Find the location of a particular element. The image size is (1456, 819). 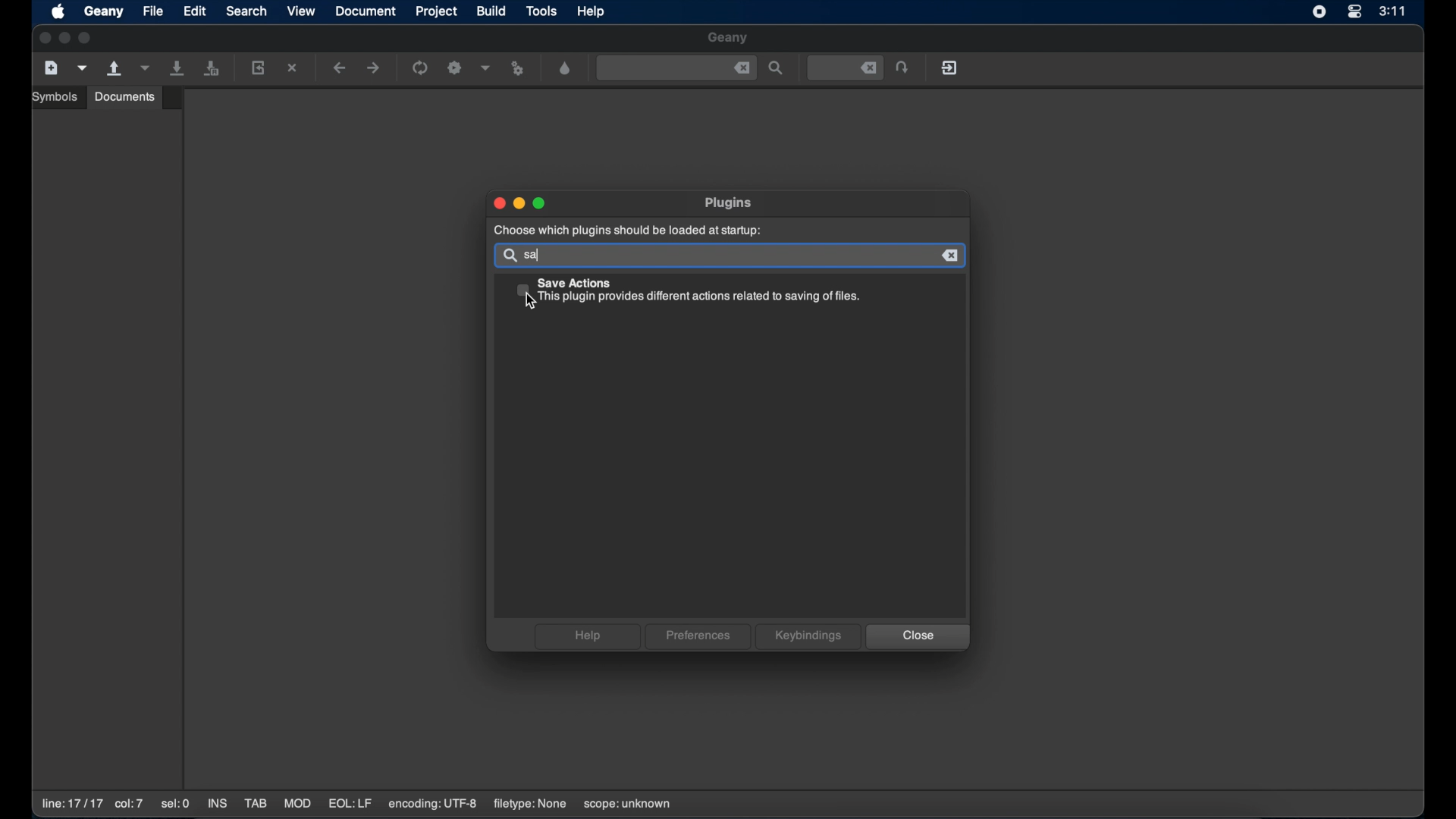

cursor is located at coordinates (534, 301).